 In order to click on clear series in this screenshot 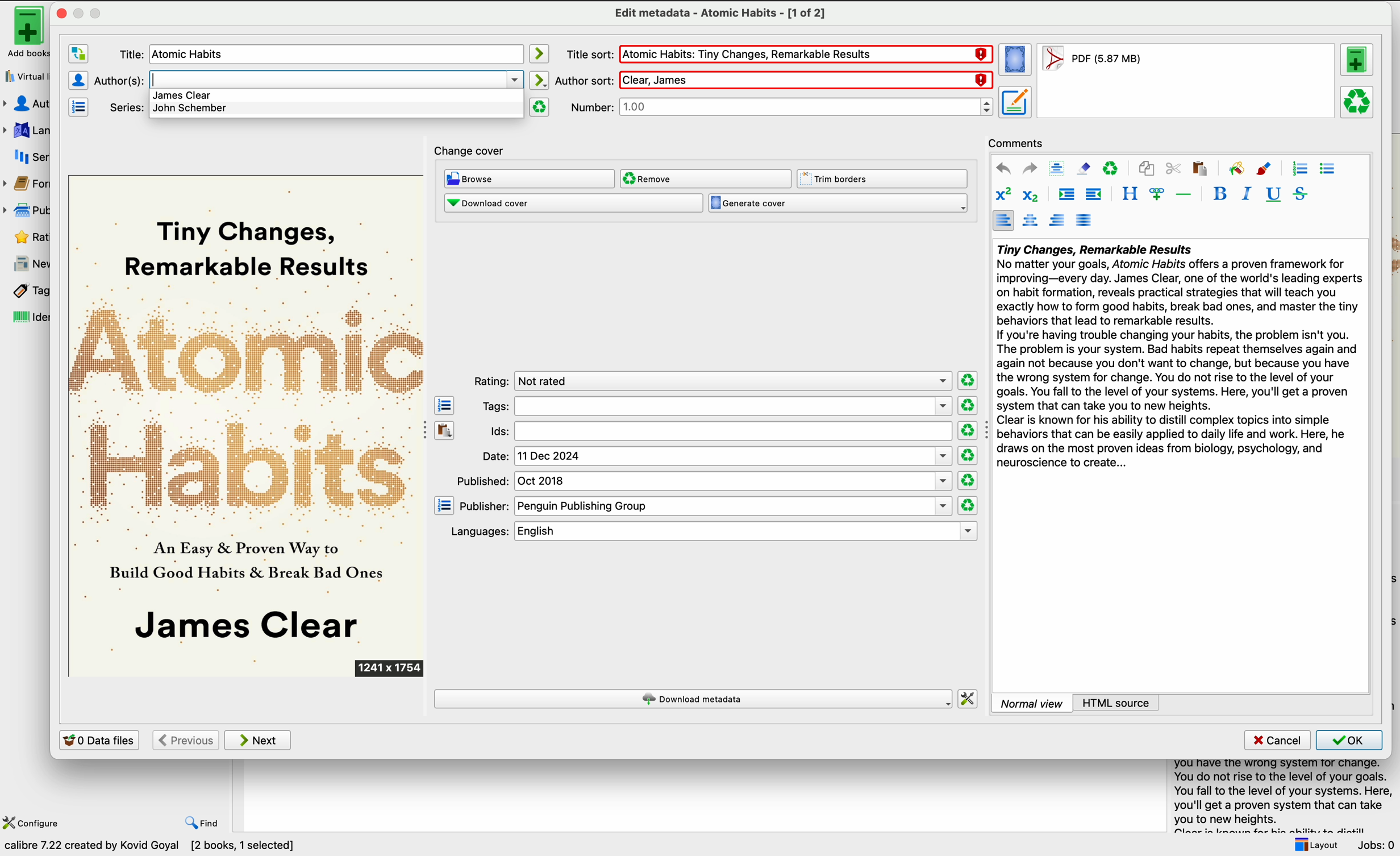, I will do `click(540, 107)`.